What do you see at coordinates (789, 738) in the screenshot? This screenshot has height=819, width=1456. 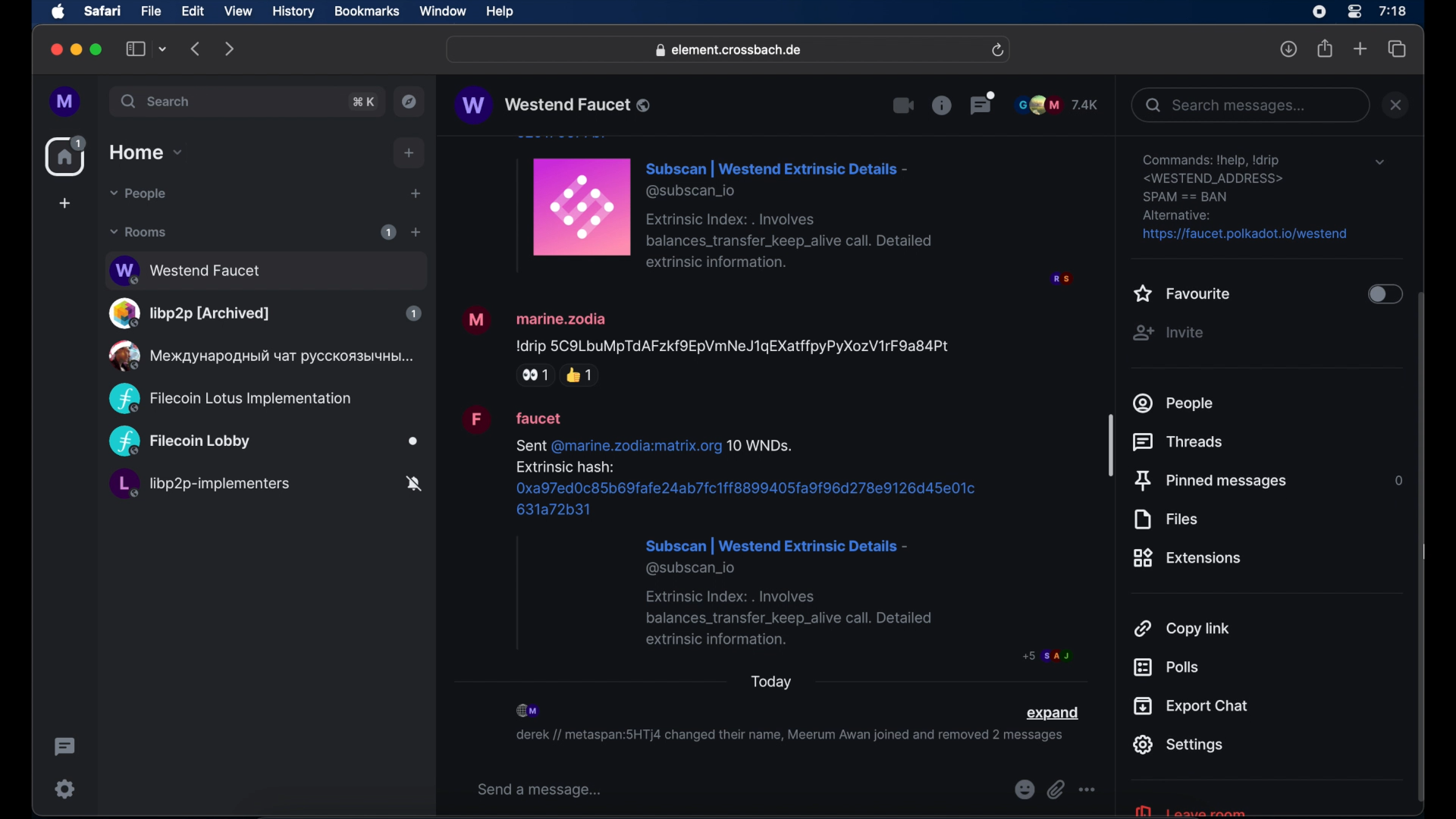 I see `room notification` at bounding box center [789, 738].